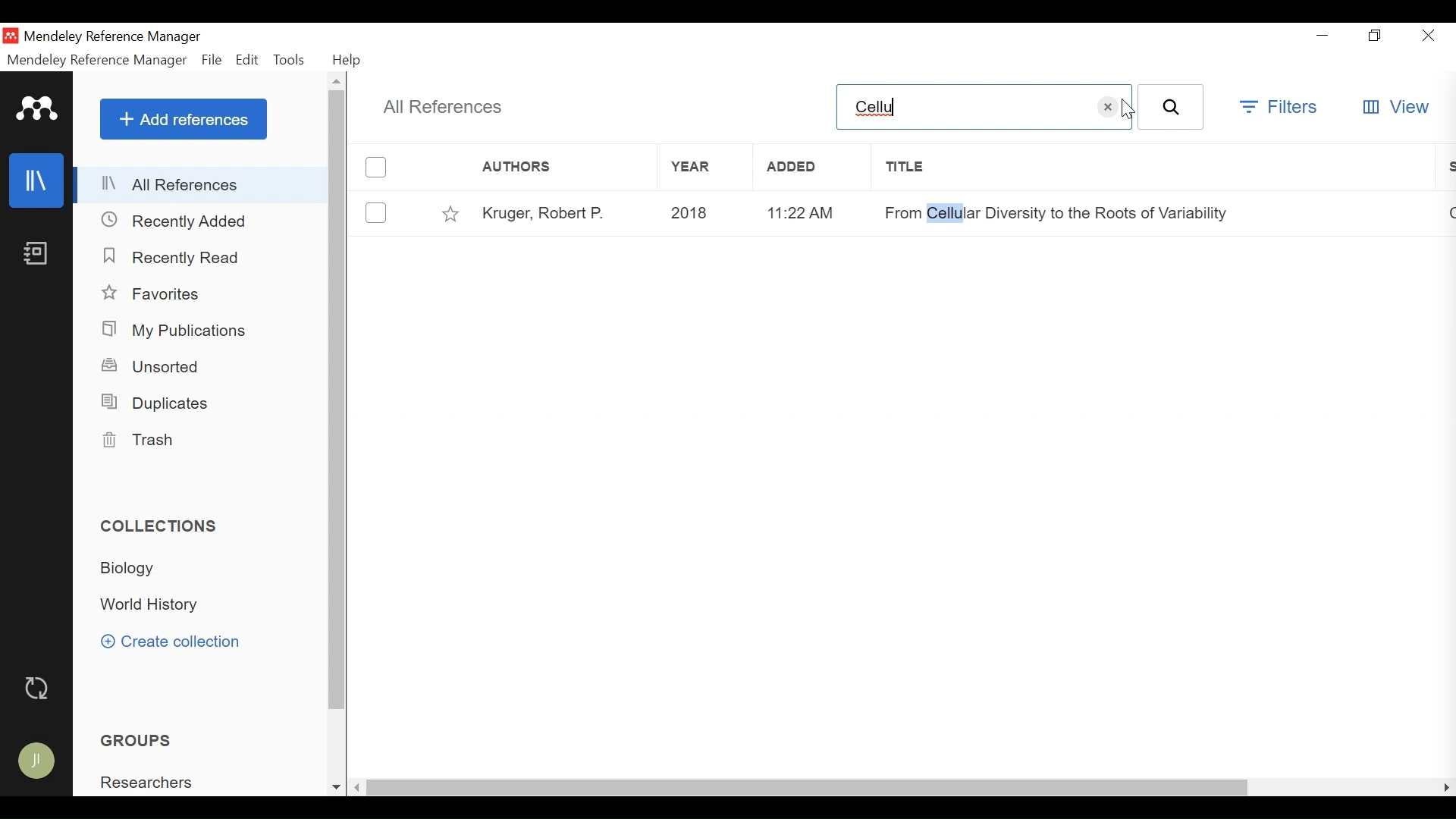 Image resolution: width=1456 pixels, height=819 pixels. I want to click on Collection, so click(153, 604).